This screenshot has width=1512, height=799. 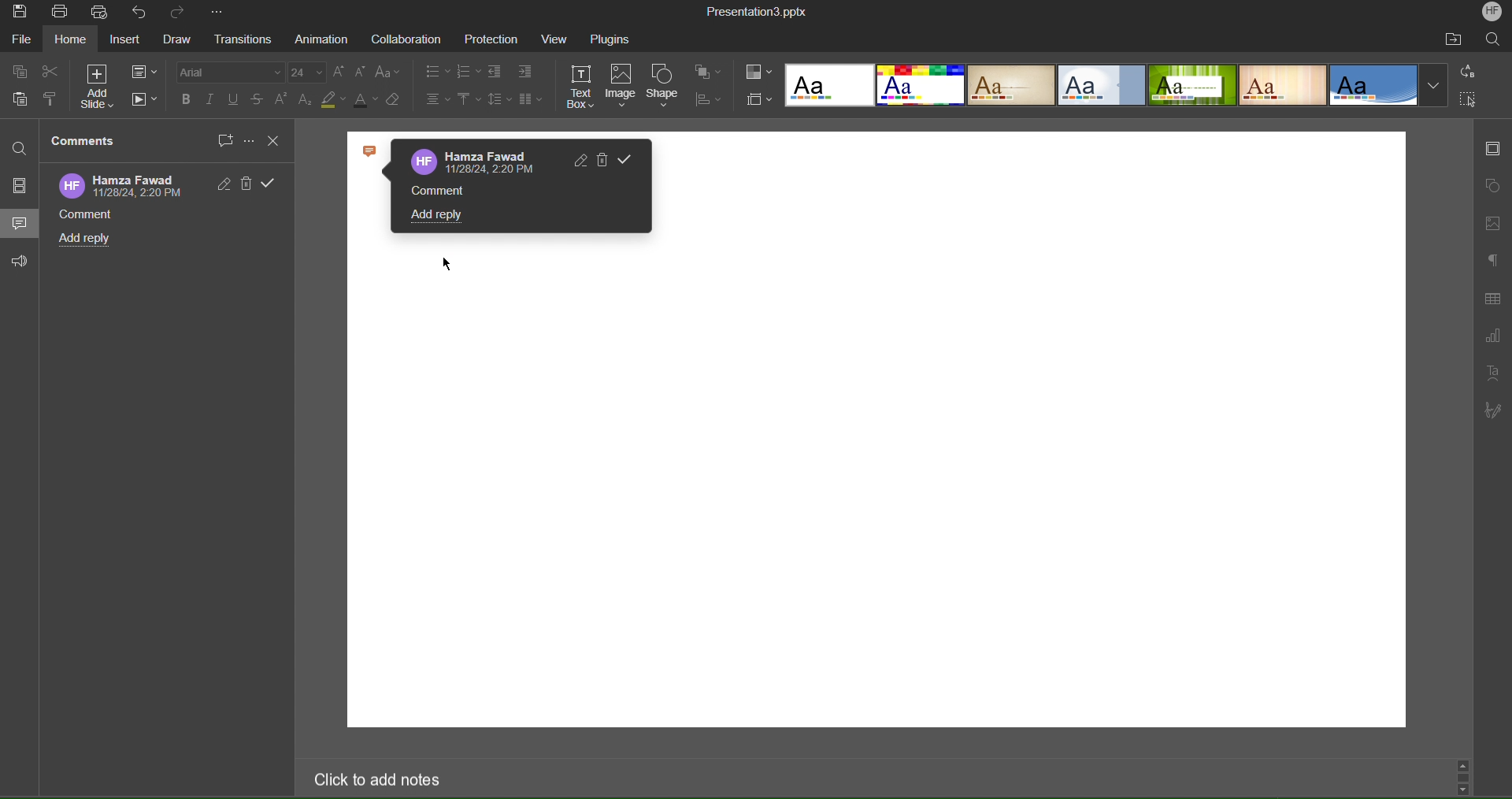 I want to click on Text Color, so click(x=364, y=101).